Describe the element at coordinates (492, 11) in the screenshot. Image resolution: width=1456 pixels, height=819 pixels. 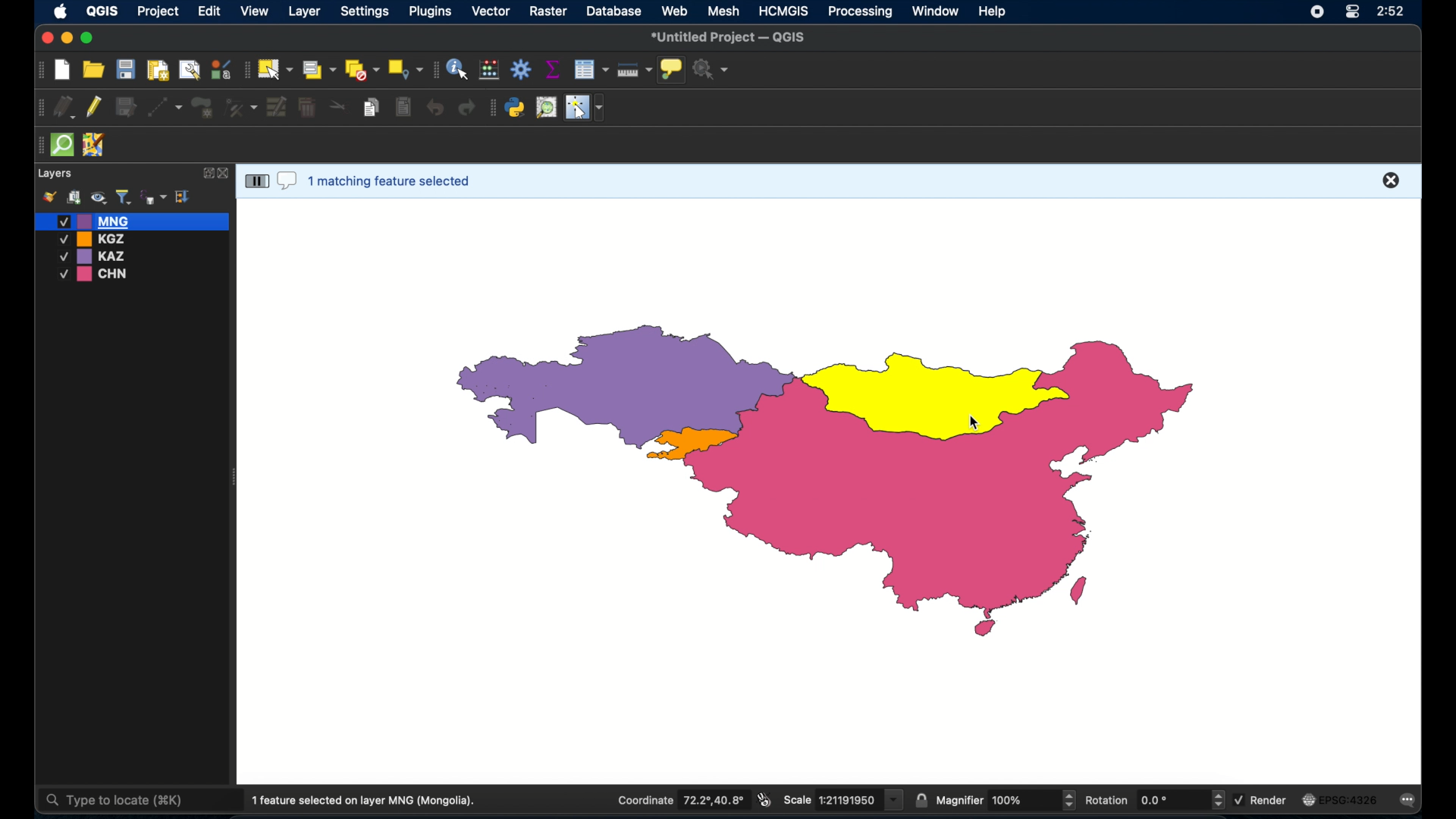
I see `vector` at that location.